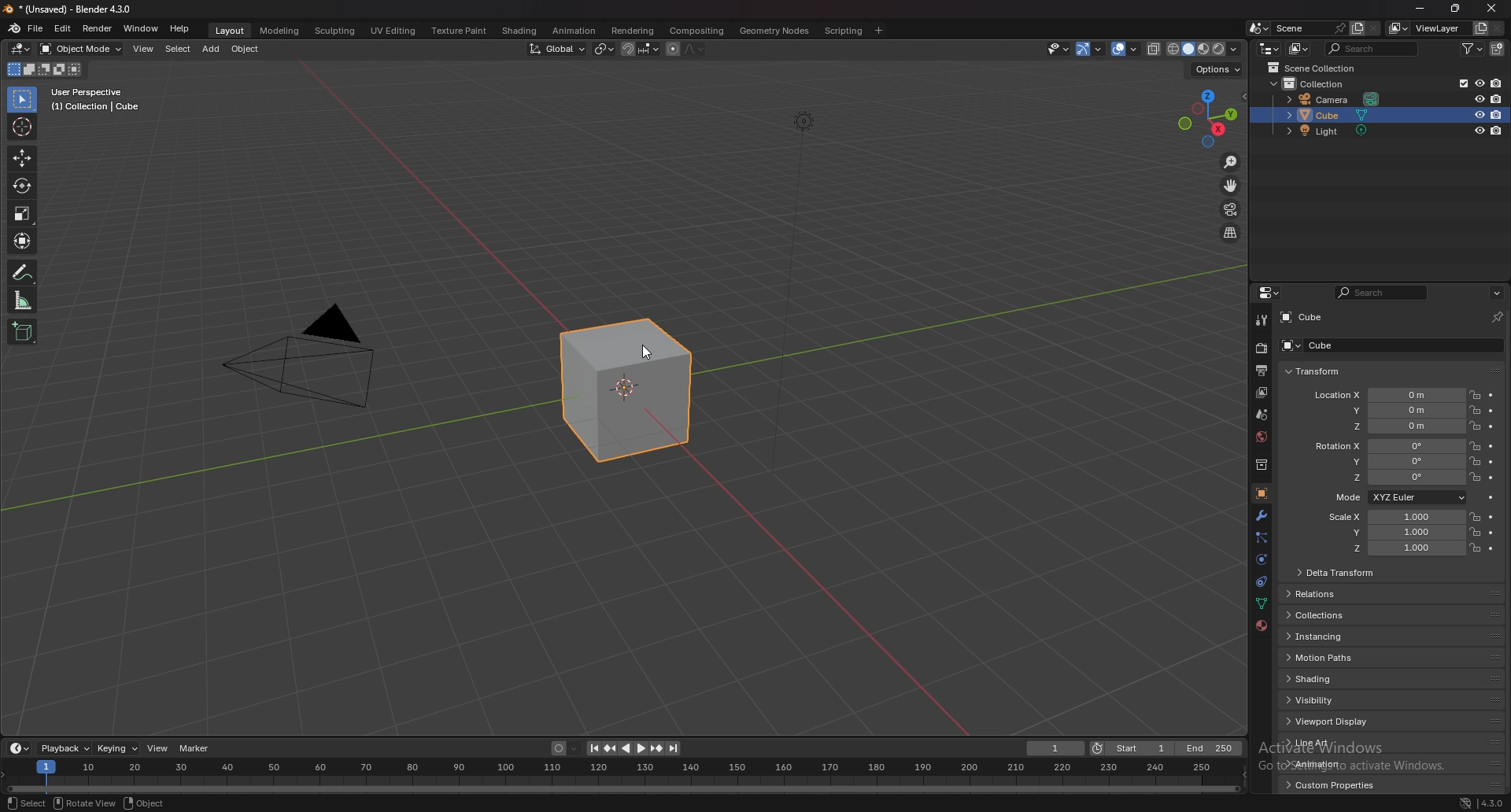  What do you see at coordinates (1210, 116) in the screenshot?
I see `use a preset viewpoint` at bounding box center [1210, 116].